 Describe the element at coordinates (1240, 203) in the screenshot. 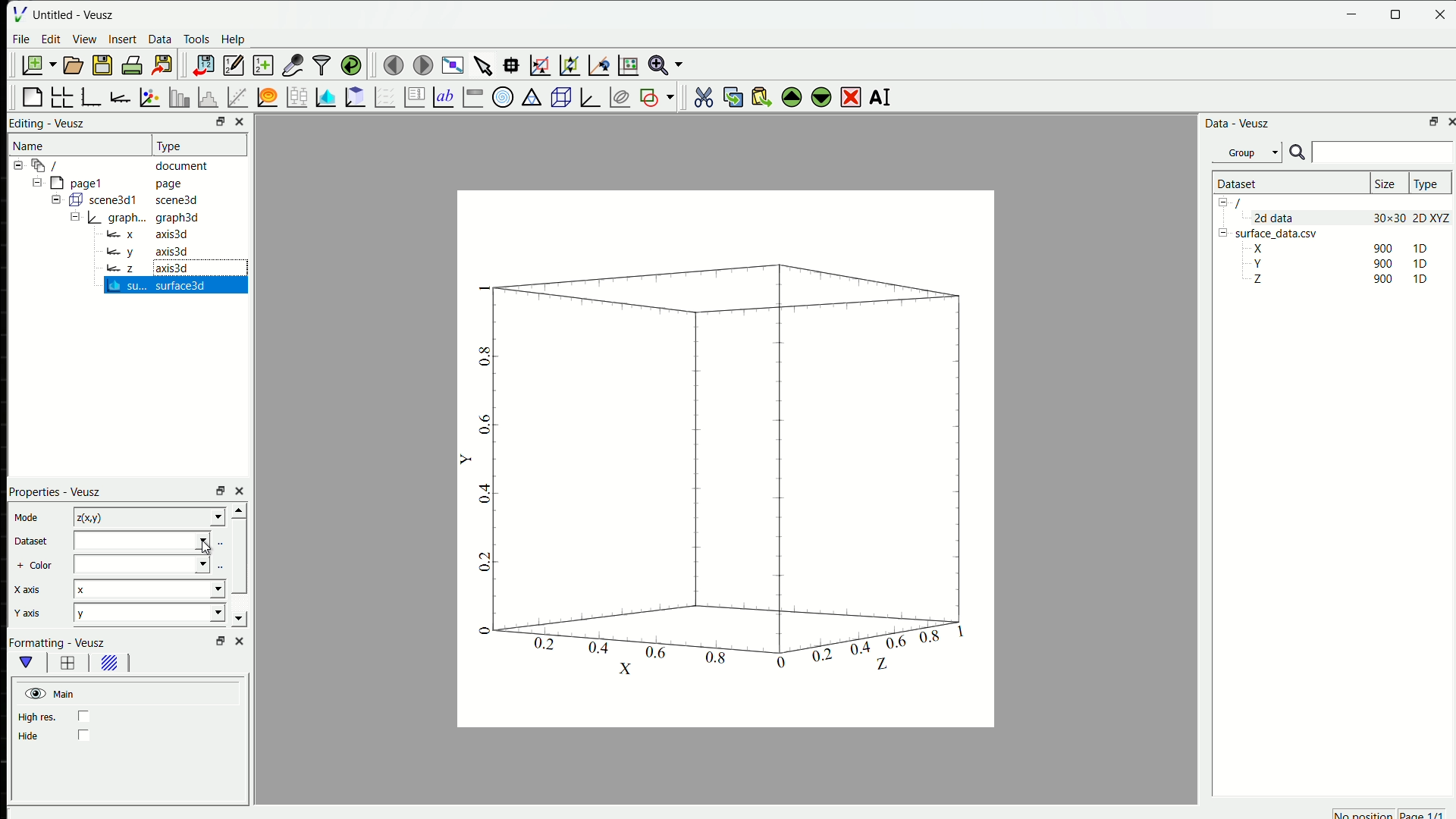

I see `/` at that location.